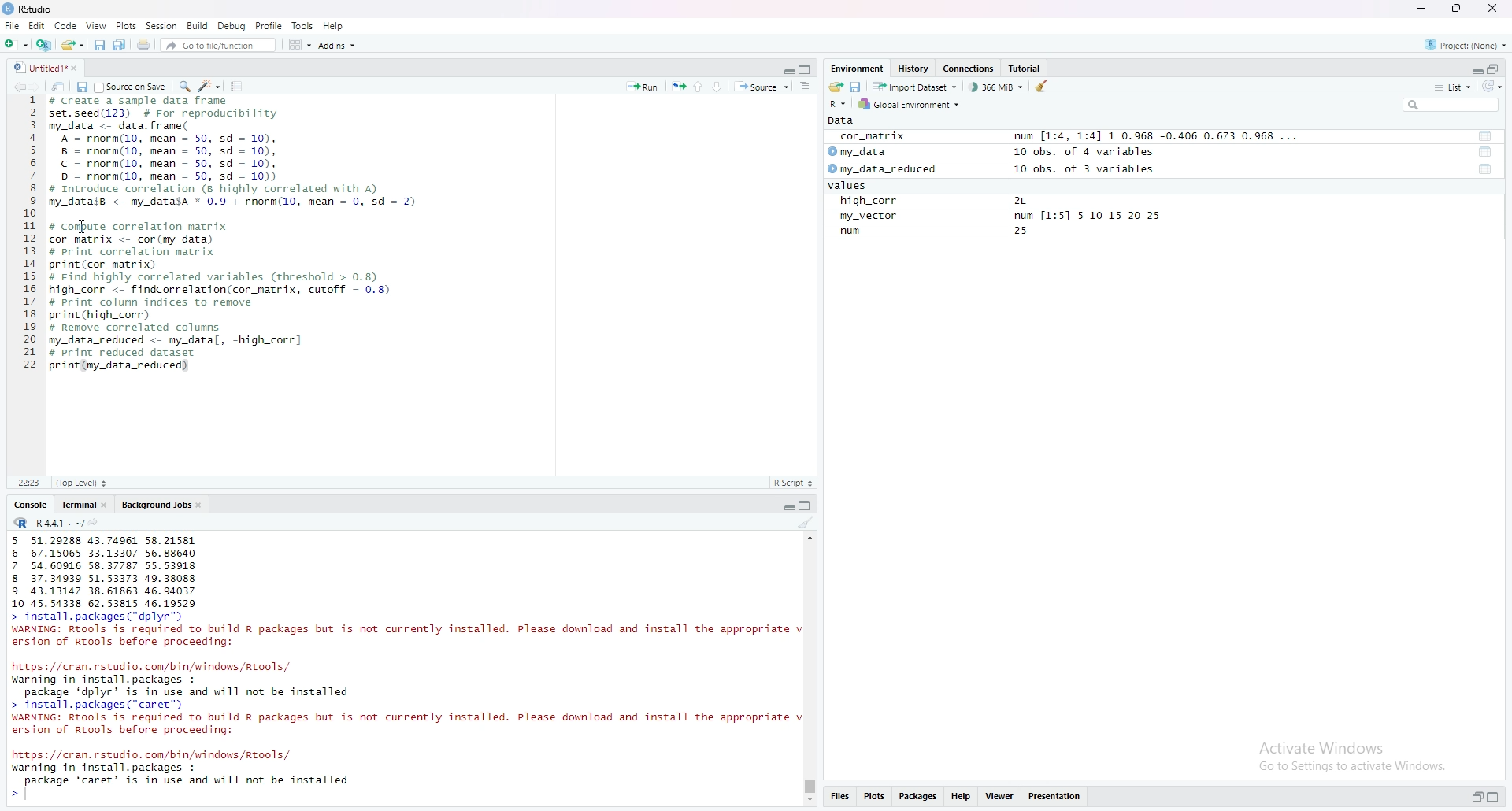  I want to click on 366 MiB, so click(996, 87).